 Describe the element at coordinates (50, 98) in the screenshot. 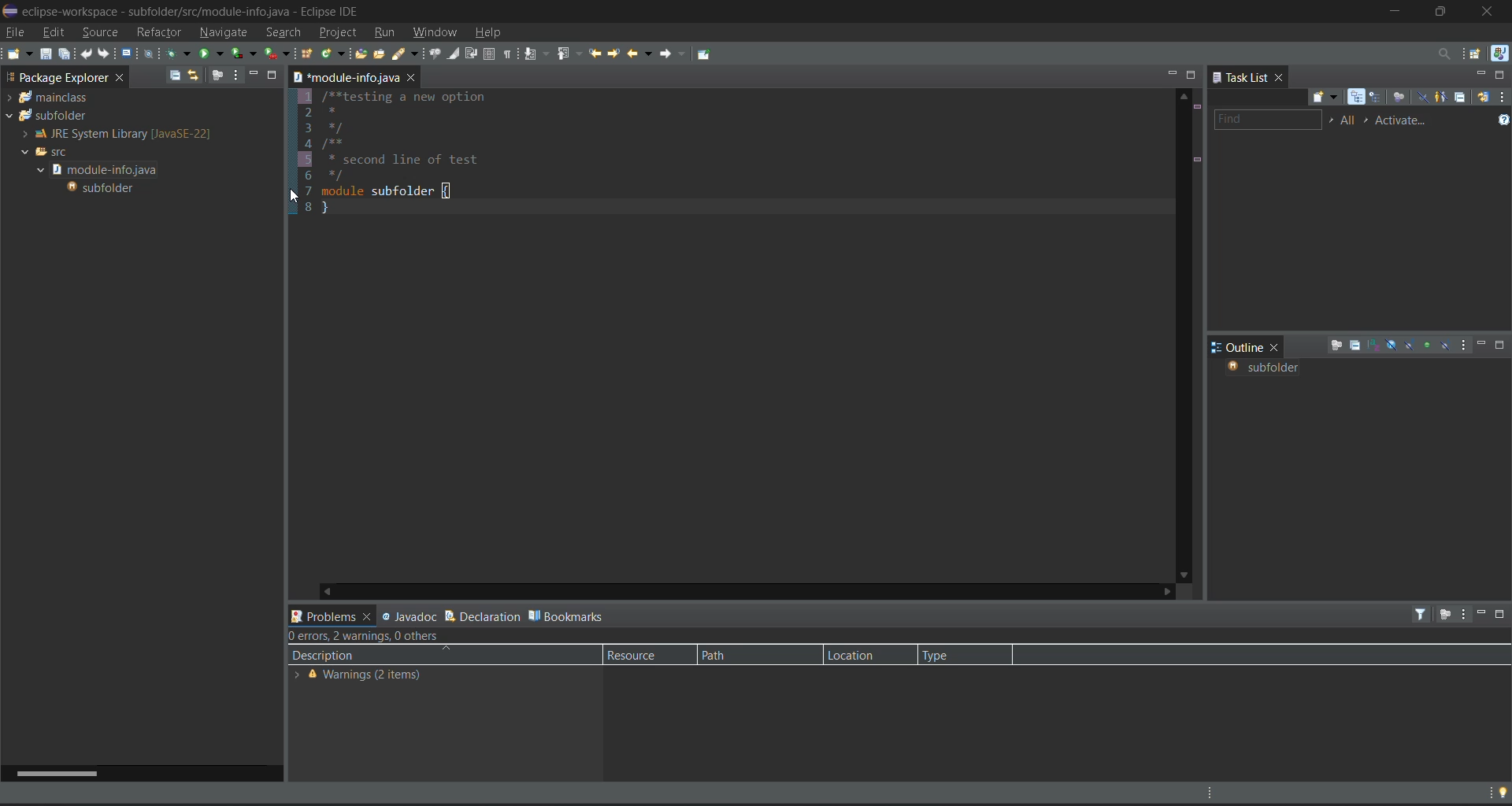

I see `mainclass` at that location.